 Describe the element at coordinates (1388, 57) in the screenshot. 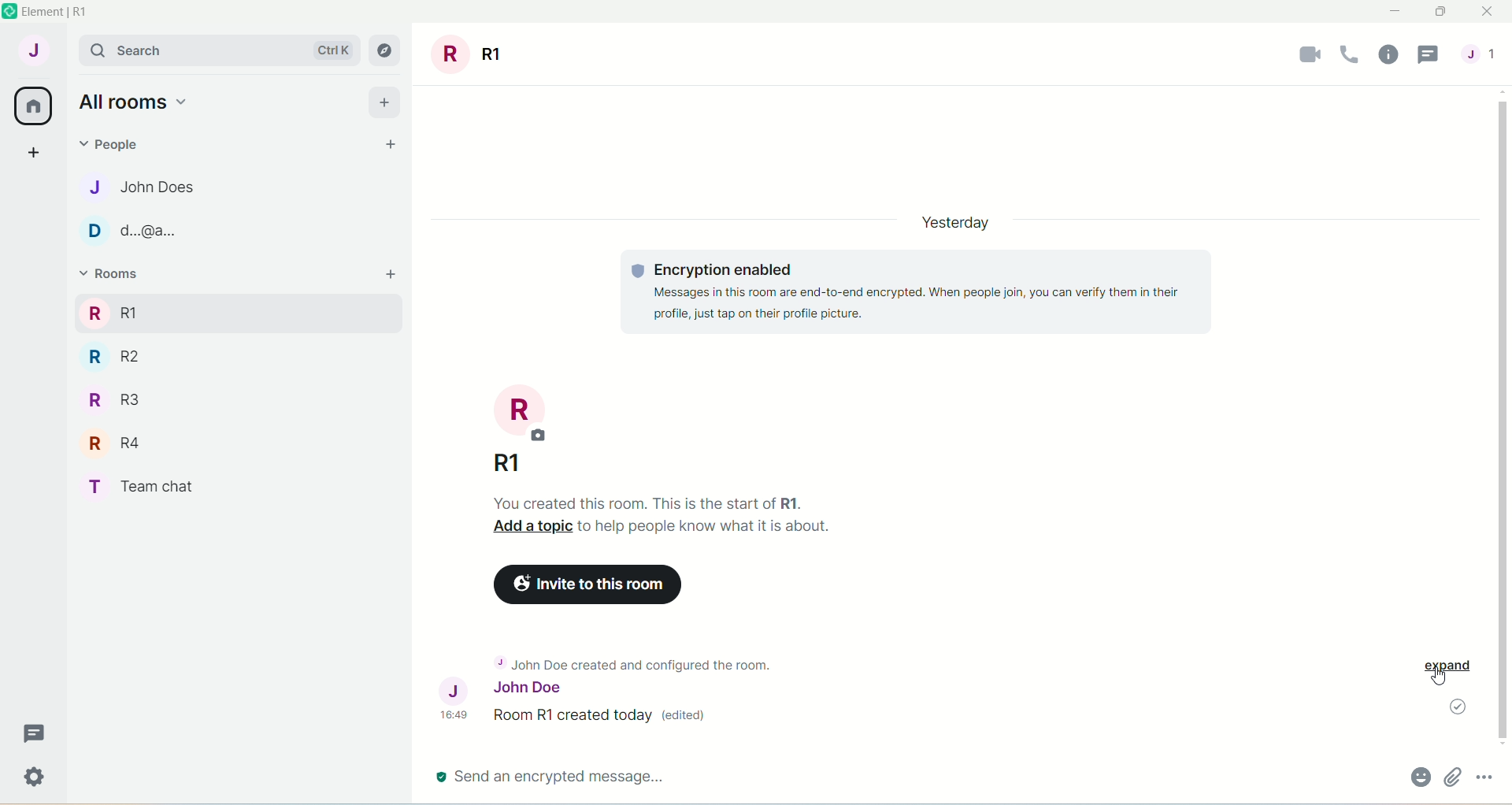

I see `room info` at that location.